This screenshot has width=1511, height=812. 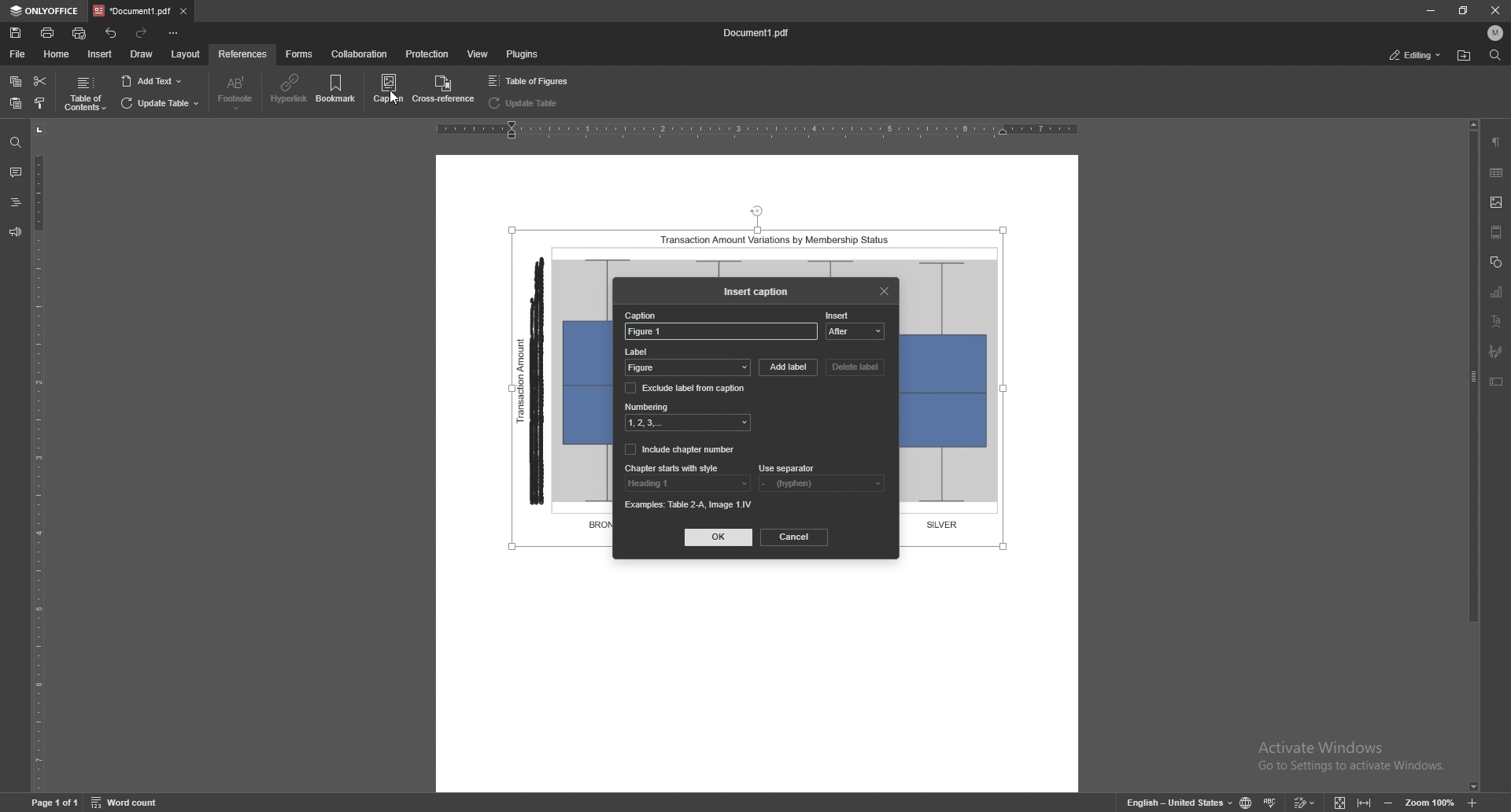 I want to click on resize, so click(x=1461, y=10).